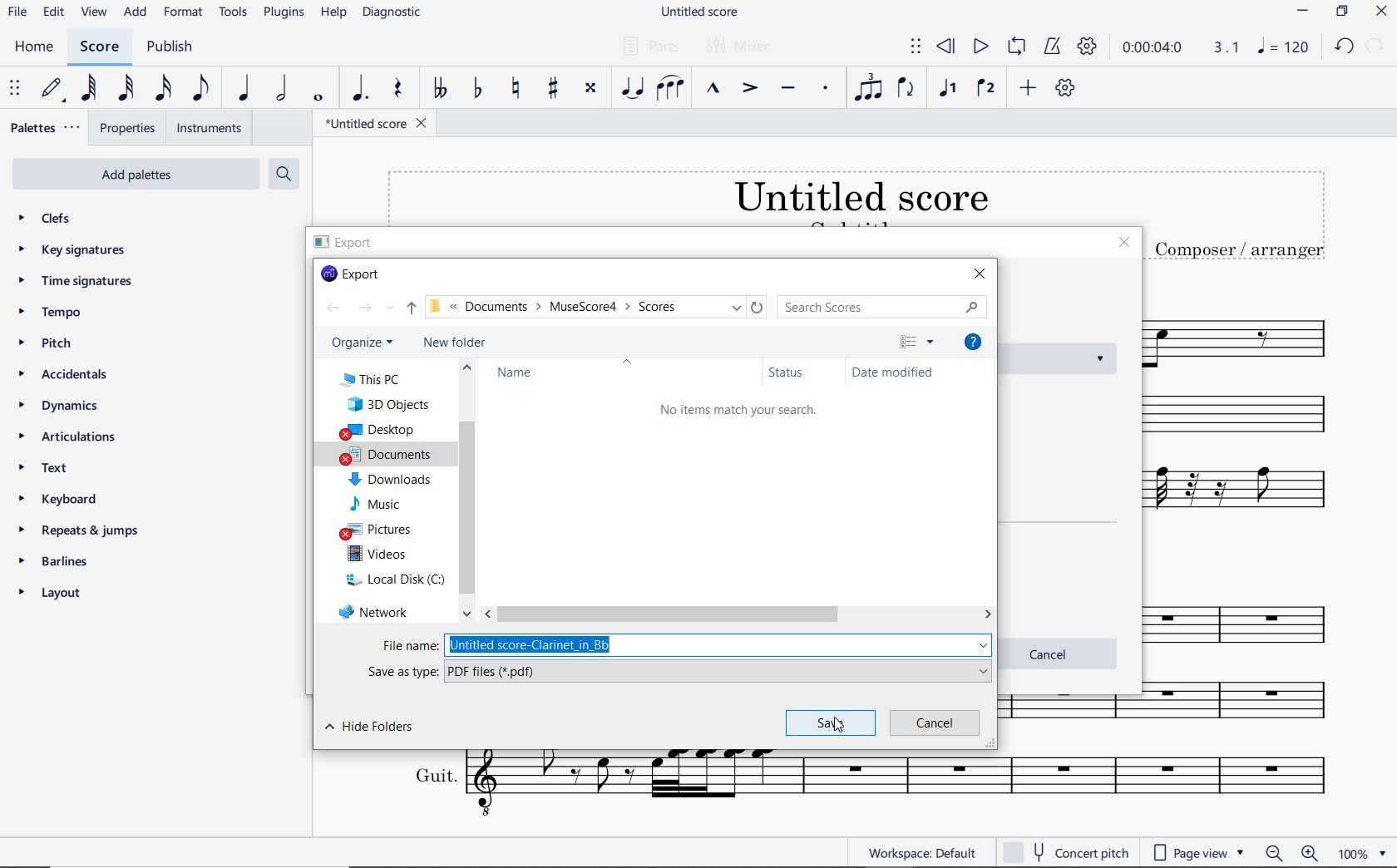 Image resolution: width=1397 pixels, height=868 pixels. I want to click on NOTE, so click(1283, 46).